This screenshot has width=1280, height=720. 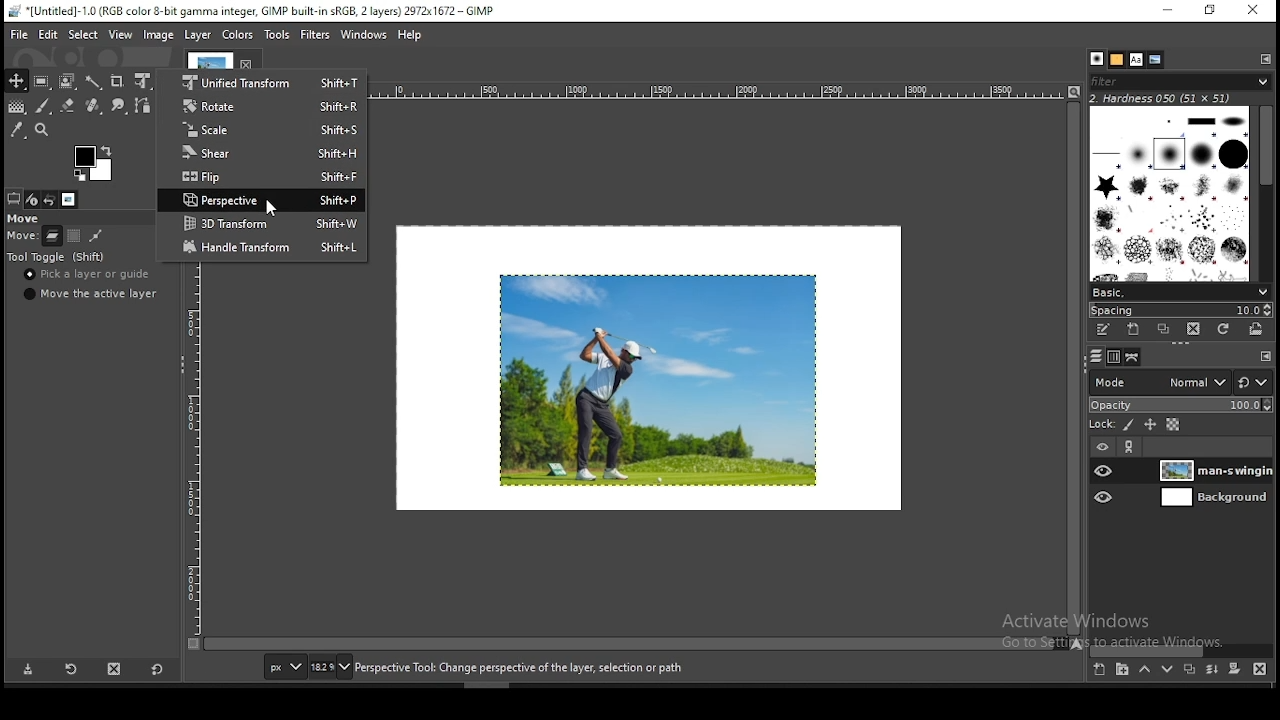 I want to click on move layer, so click(x=50, y=236).